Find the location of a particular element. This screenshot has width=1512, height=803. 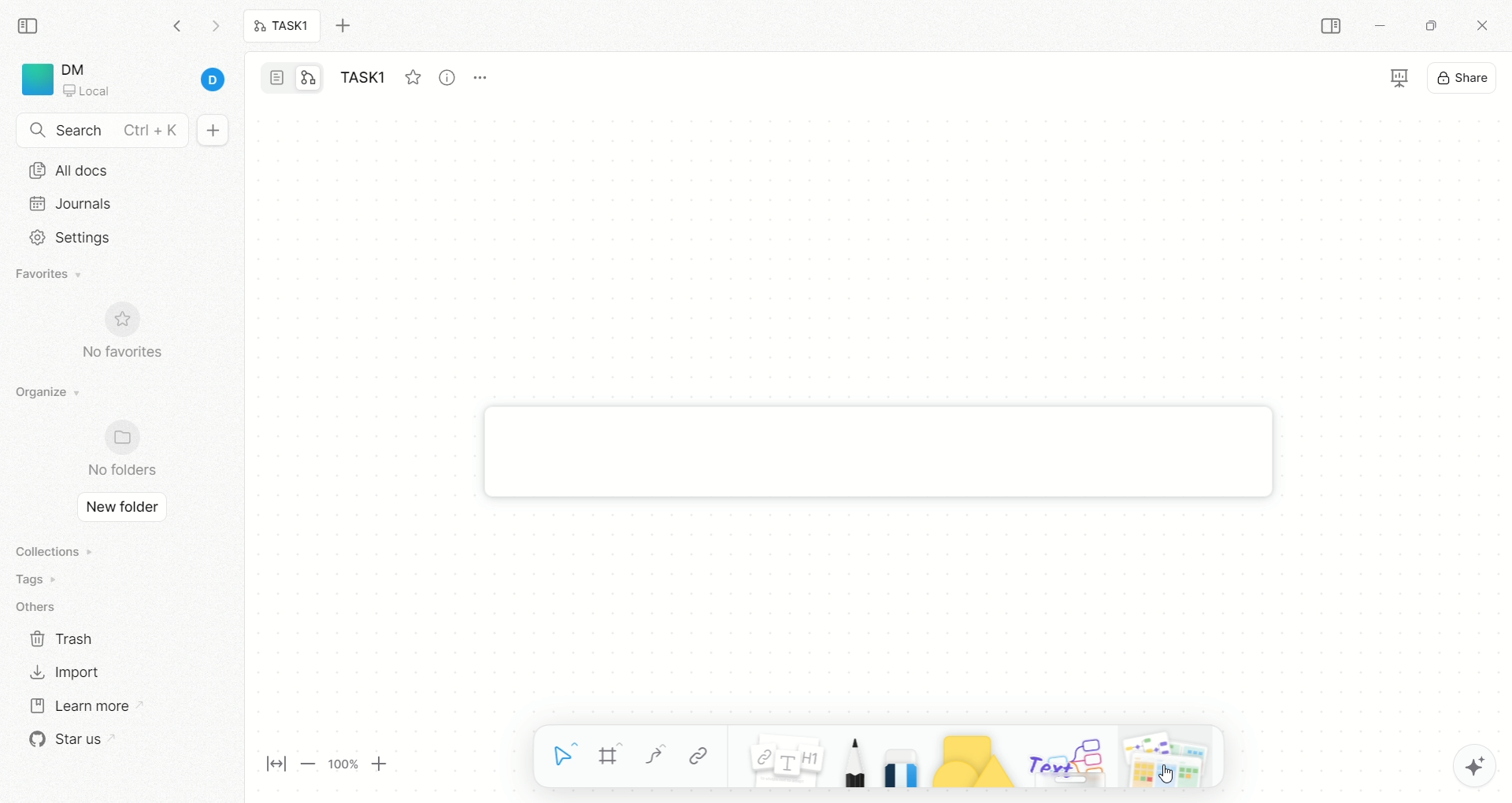

journals is located at coordinates (74, 203).